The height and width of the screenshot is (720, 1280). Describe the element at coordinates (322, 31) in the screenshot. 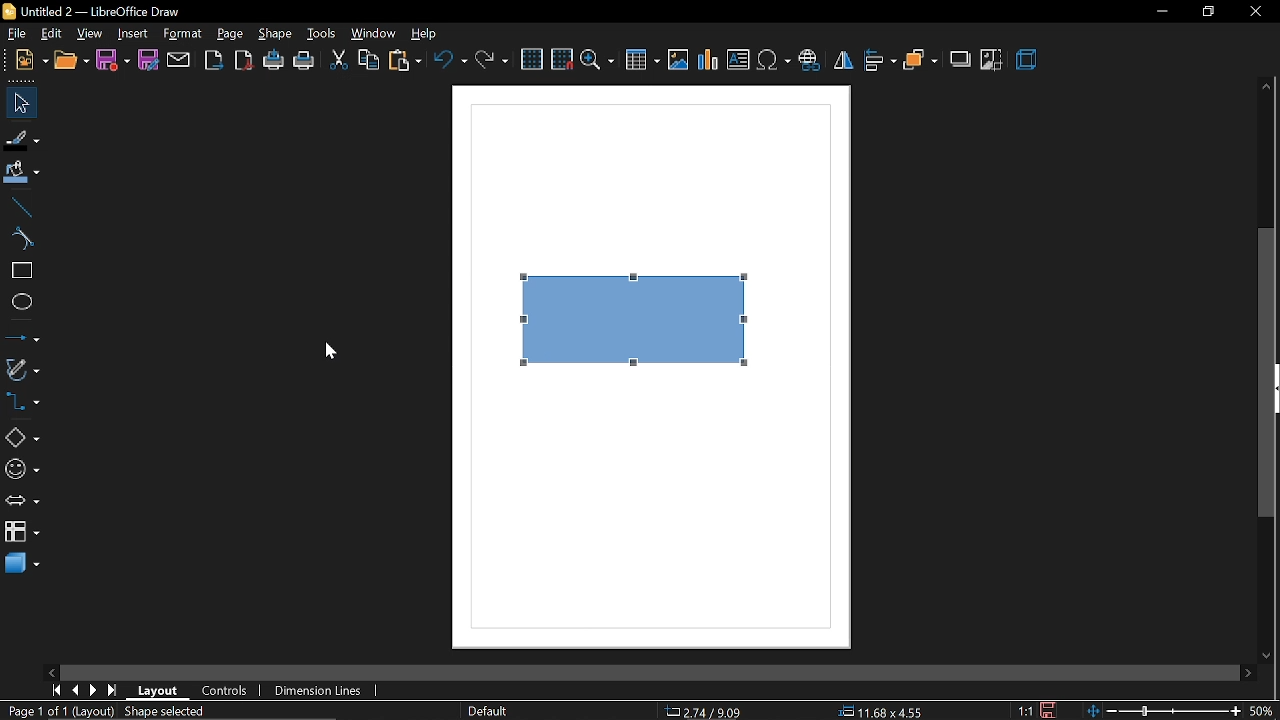

I see `tools` at that location.